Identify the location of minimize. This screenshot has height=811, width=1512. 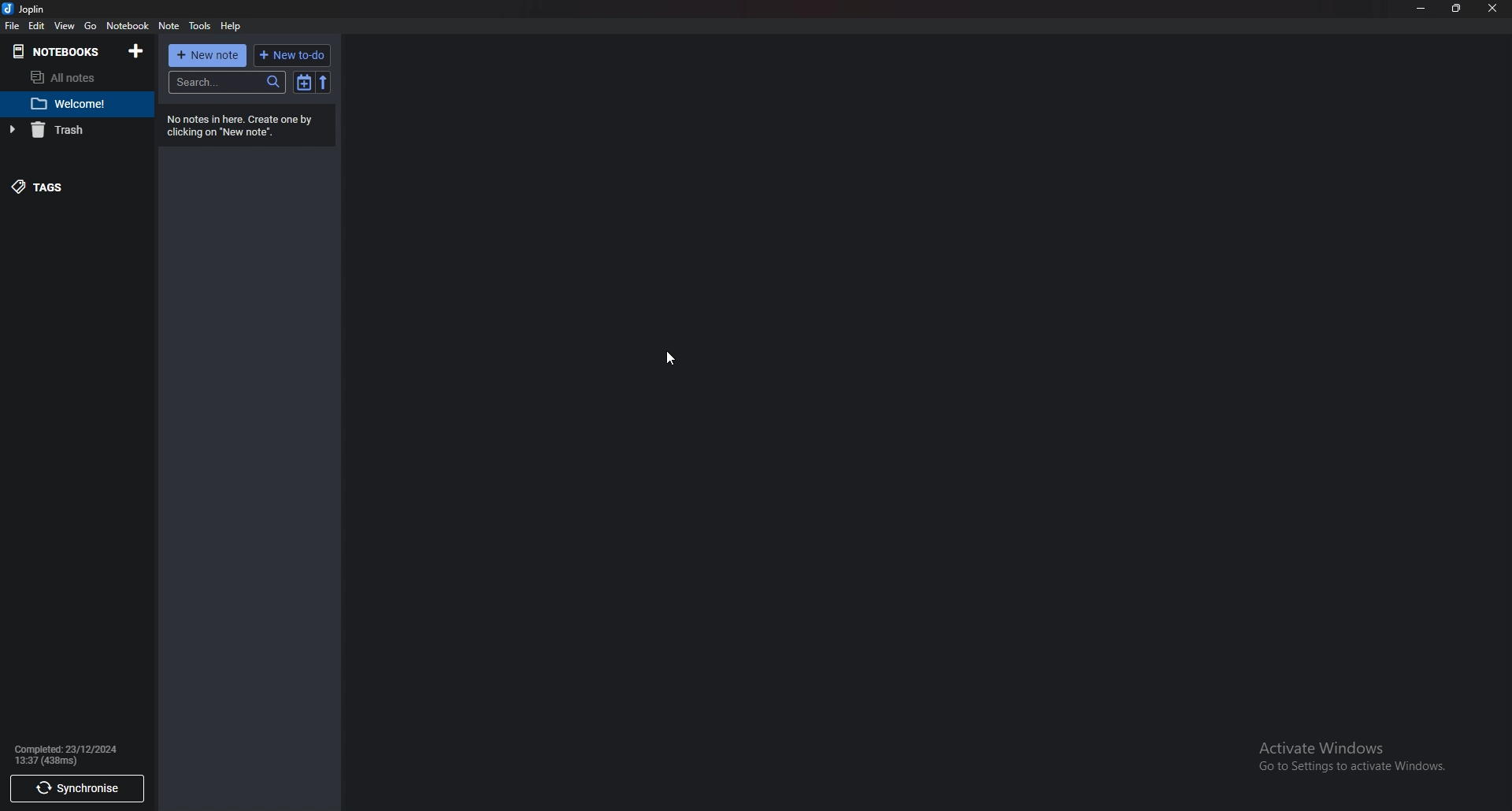
(1421, 8).